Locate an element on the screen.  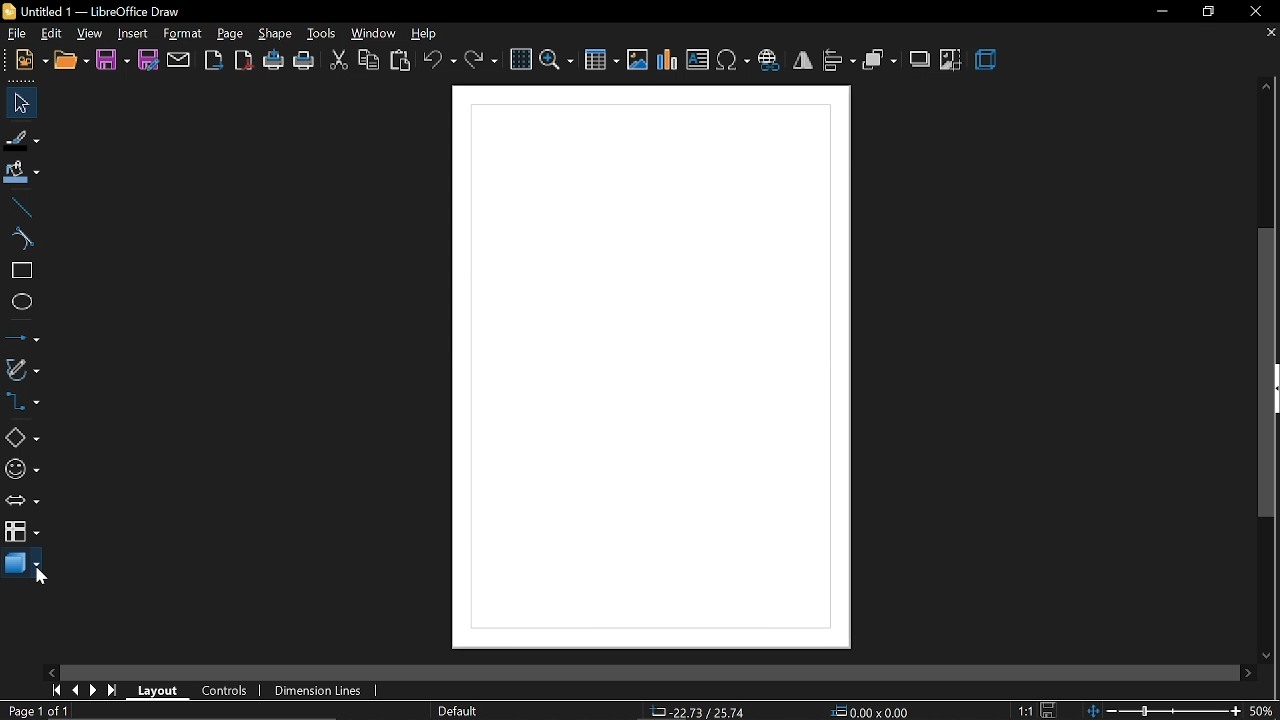
lines and arrow is located at coordinates (22, 337).